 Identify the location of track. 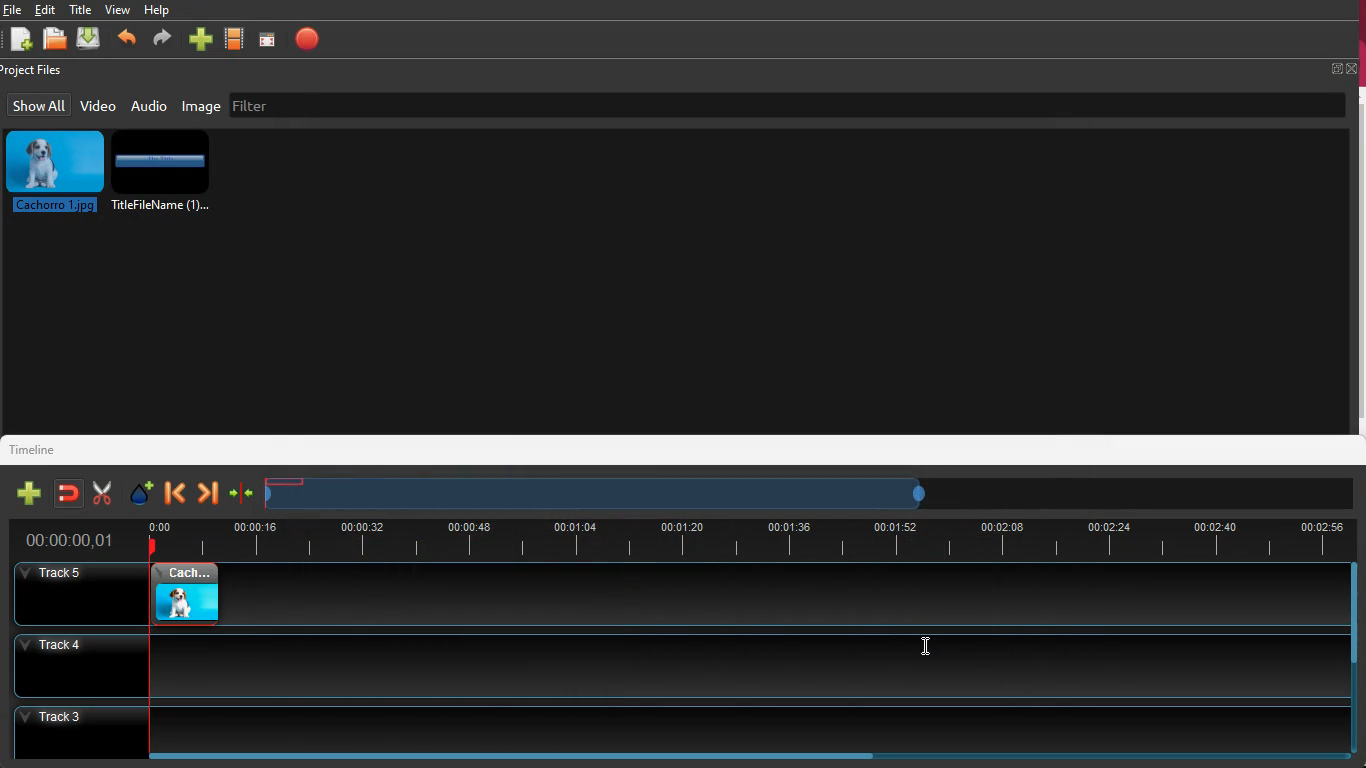
(785, 595).